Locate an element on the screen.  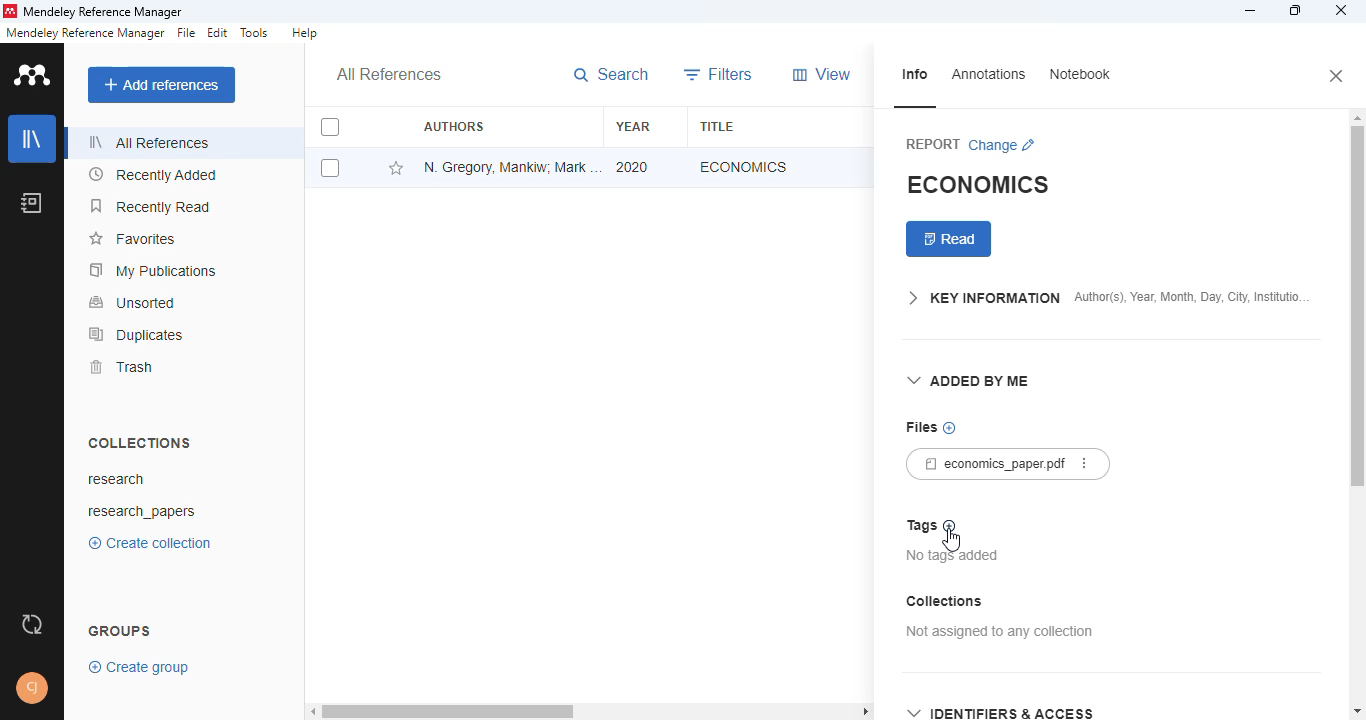
change is located at coordinates (1002, 146).